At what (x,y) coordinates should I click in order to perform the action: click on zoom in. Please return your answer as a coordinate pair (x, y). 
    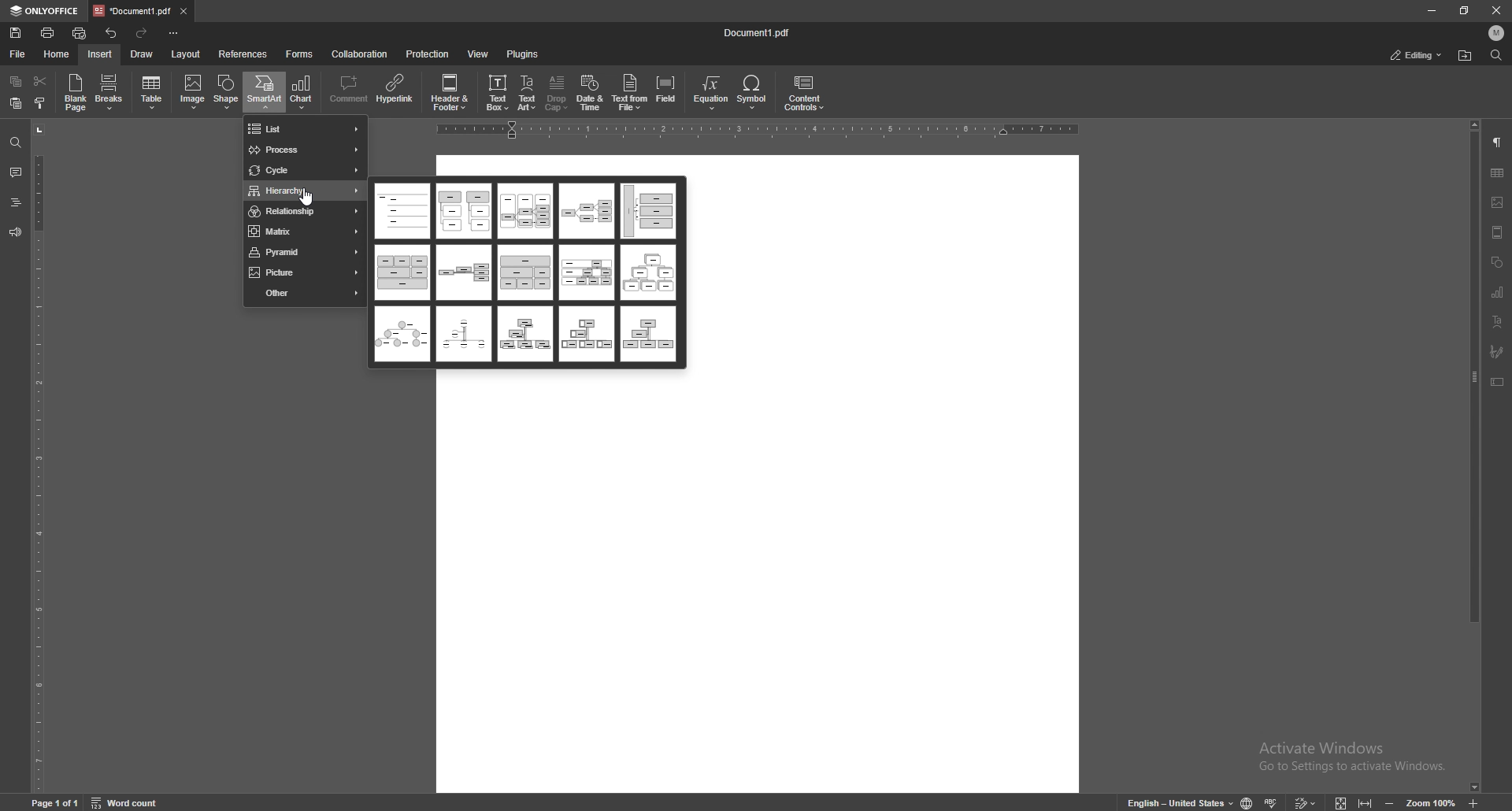
    Looking at the image, I should click on (1477, 803).